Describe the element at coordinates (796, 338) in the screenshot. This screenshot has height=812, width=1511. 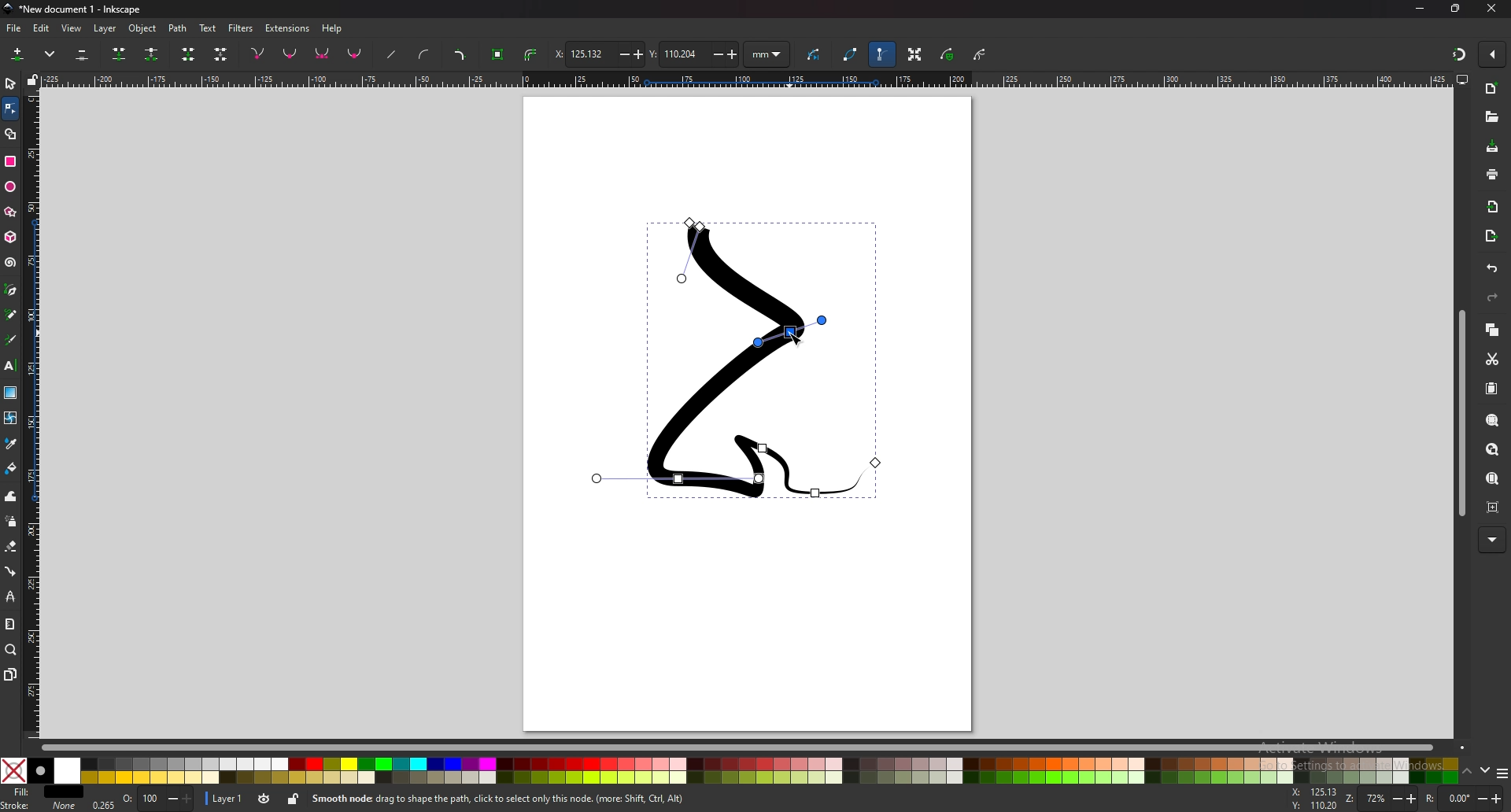
I see `cursor` at that location.